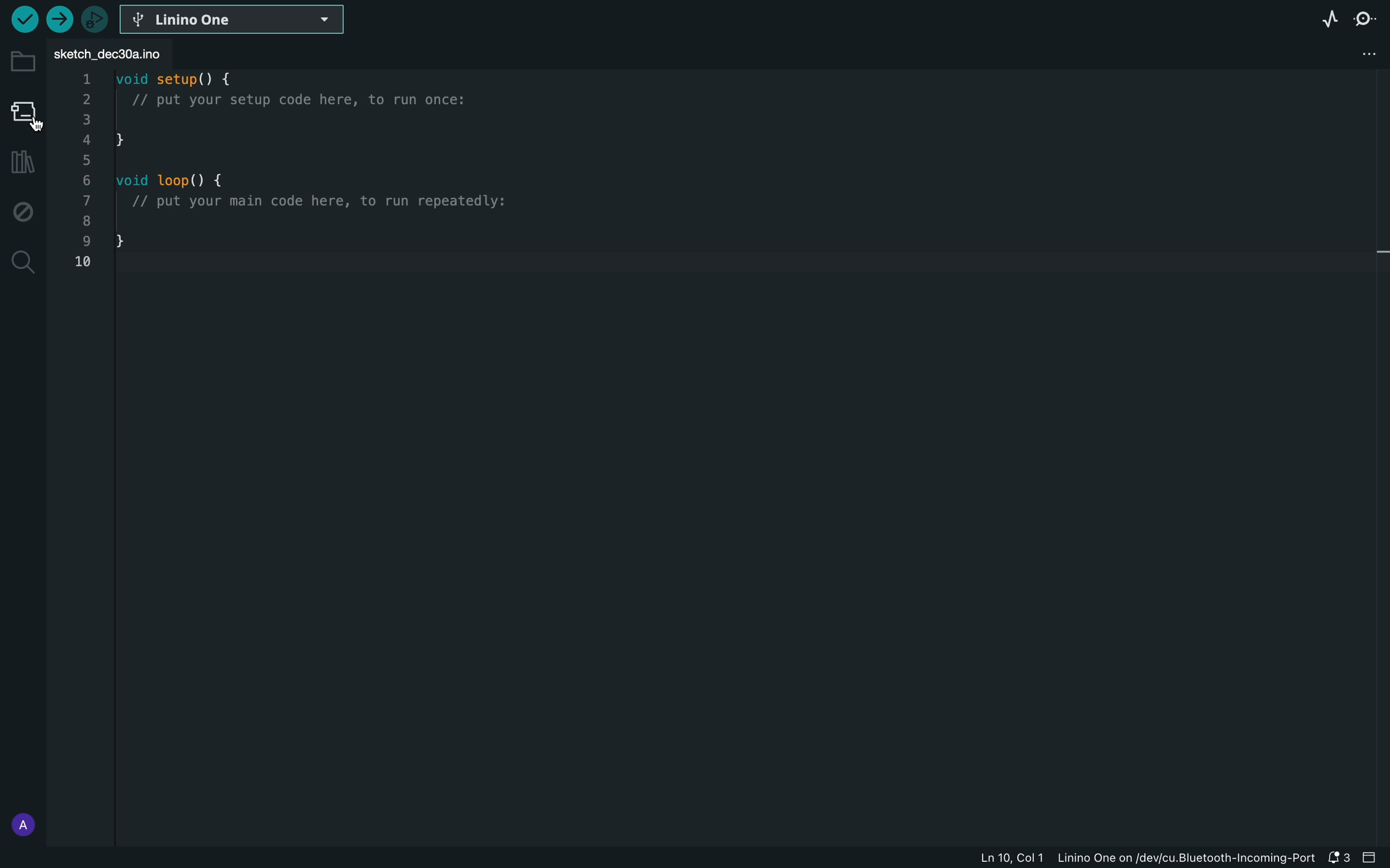 The height and width of the screenshot is (868, 1390). Describe the element at coordinates (20, 211) in the screenshot. I see `debug` at that location.